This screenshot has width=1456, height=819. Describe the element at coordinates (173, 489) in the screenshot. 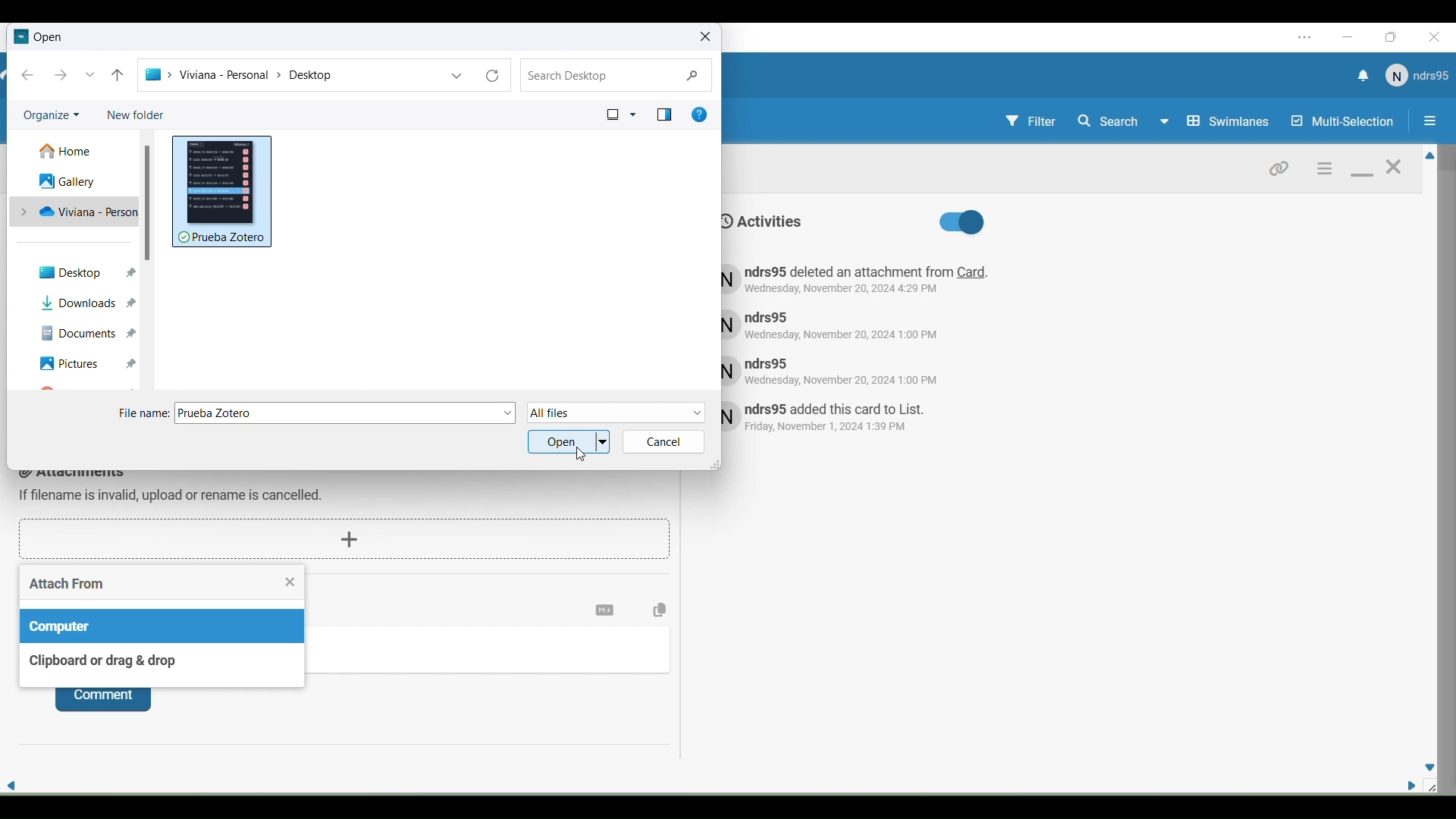

I see `Attachments` at that location.